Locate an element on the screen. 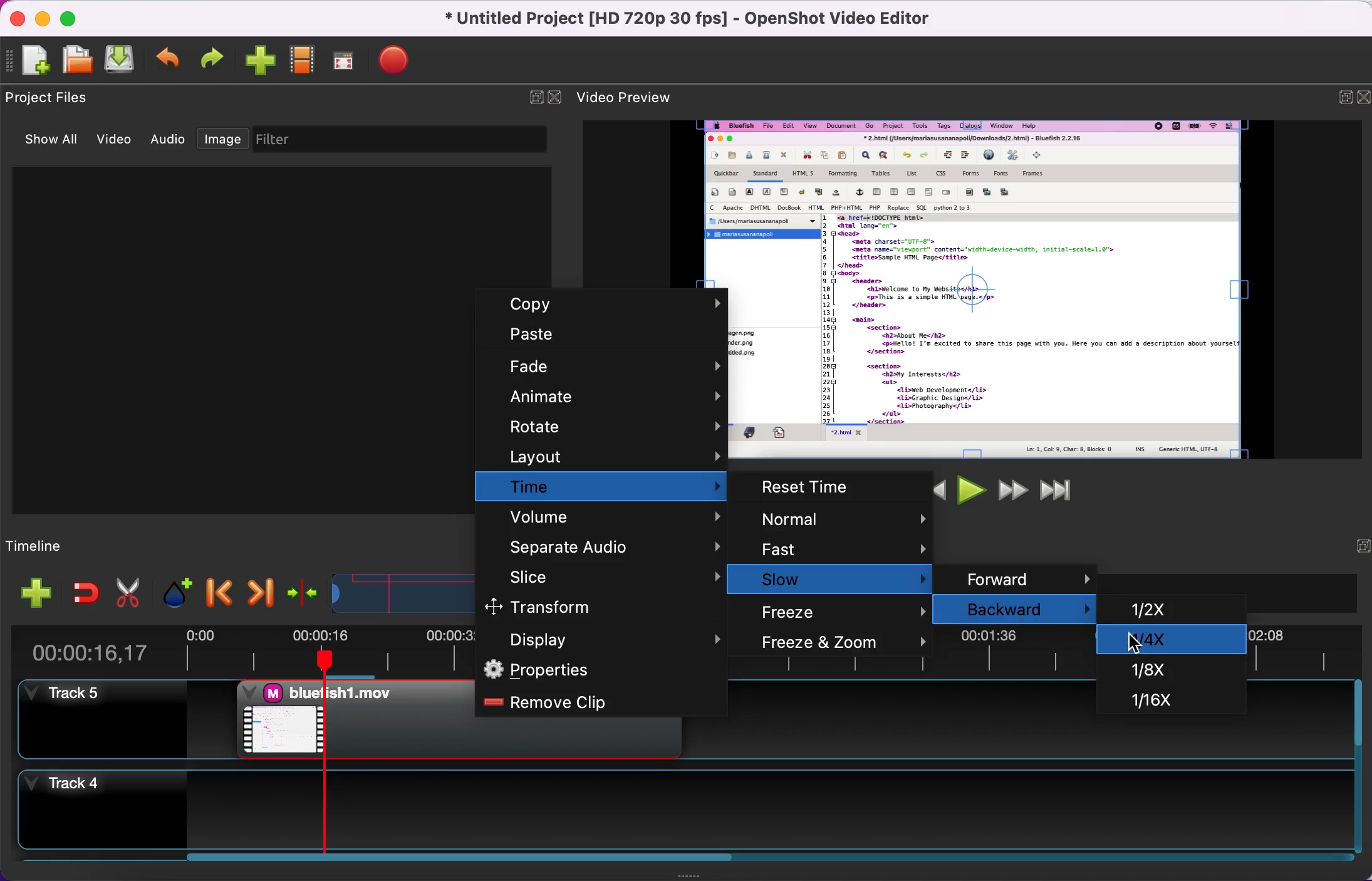 This screenshot has width=1372, height=881. choose profile is located at coordinates (304, 60).